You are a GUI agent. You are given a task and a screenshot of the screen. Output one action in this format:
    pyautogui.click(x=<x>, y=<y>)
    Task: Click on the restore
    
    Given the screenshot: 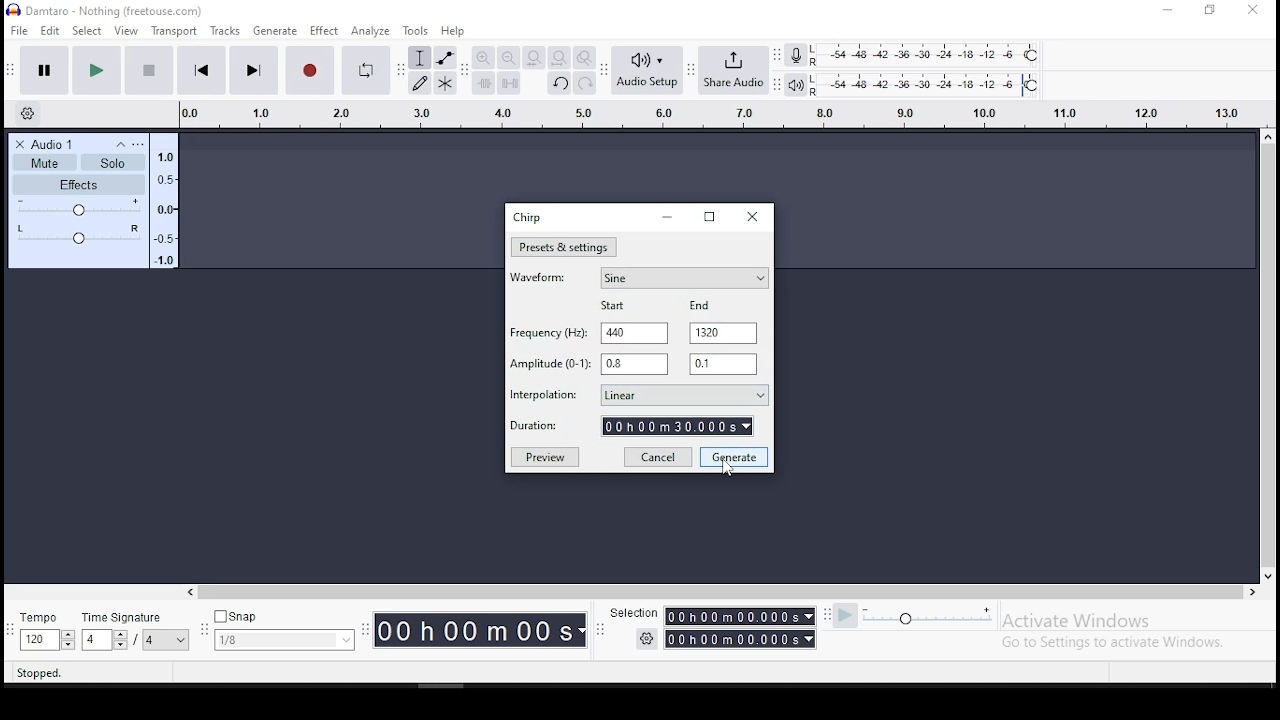 What is the action you would take?
    pyautogui.click(x=709, y=216)
    